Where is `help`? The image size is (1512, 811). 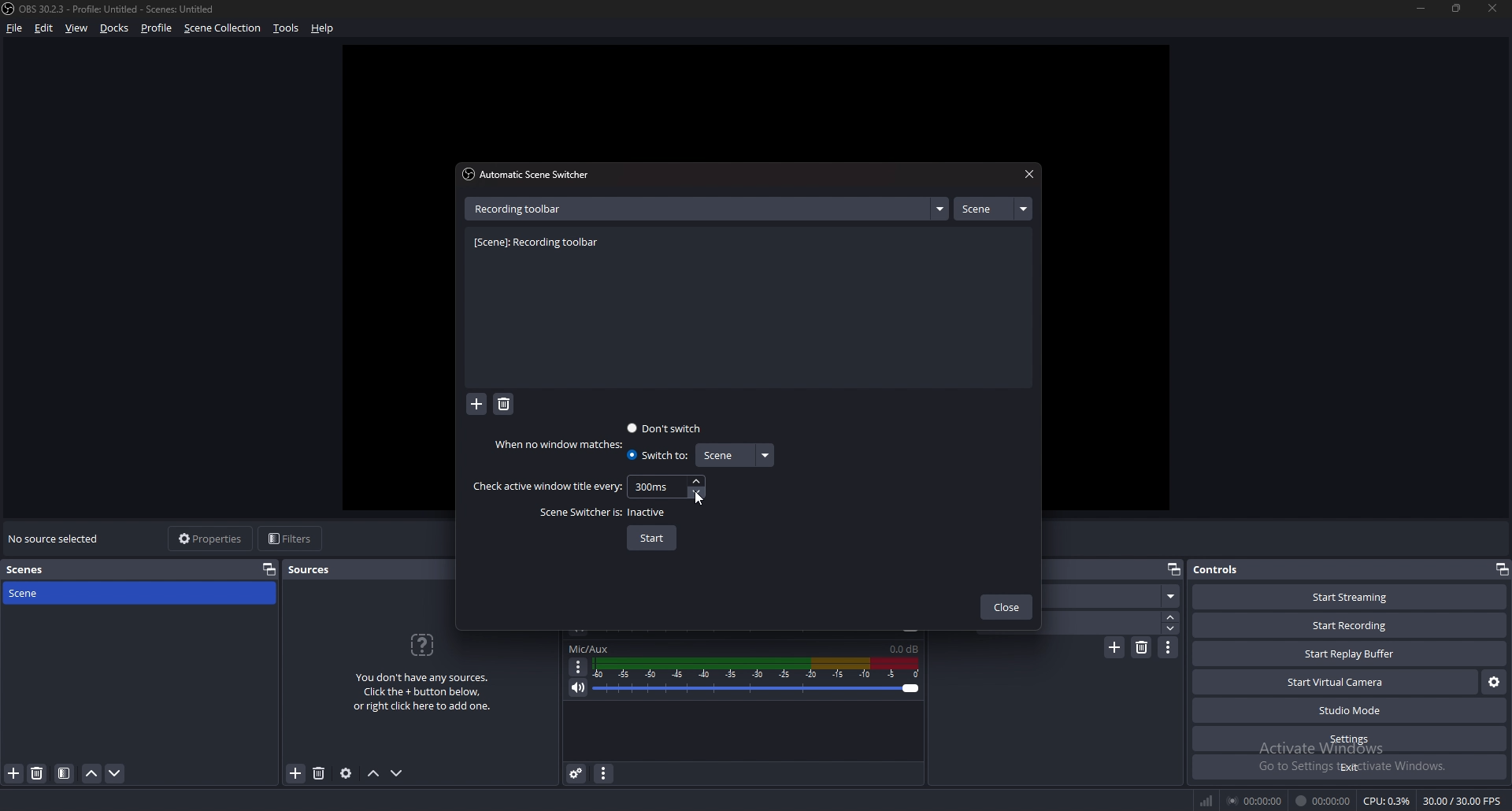
help is located at coordinates (323, 29).